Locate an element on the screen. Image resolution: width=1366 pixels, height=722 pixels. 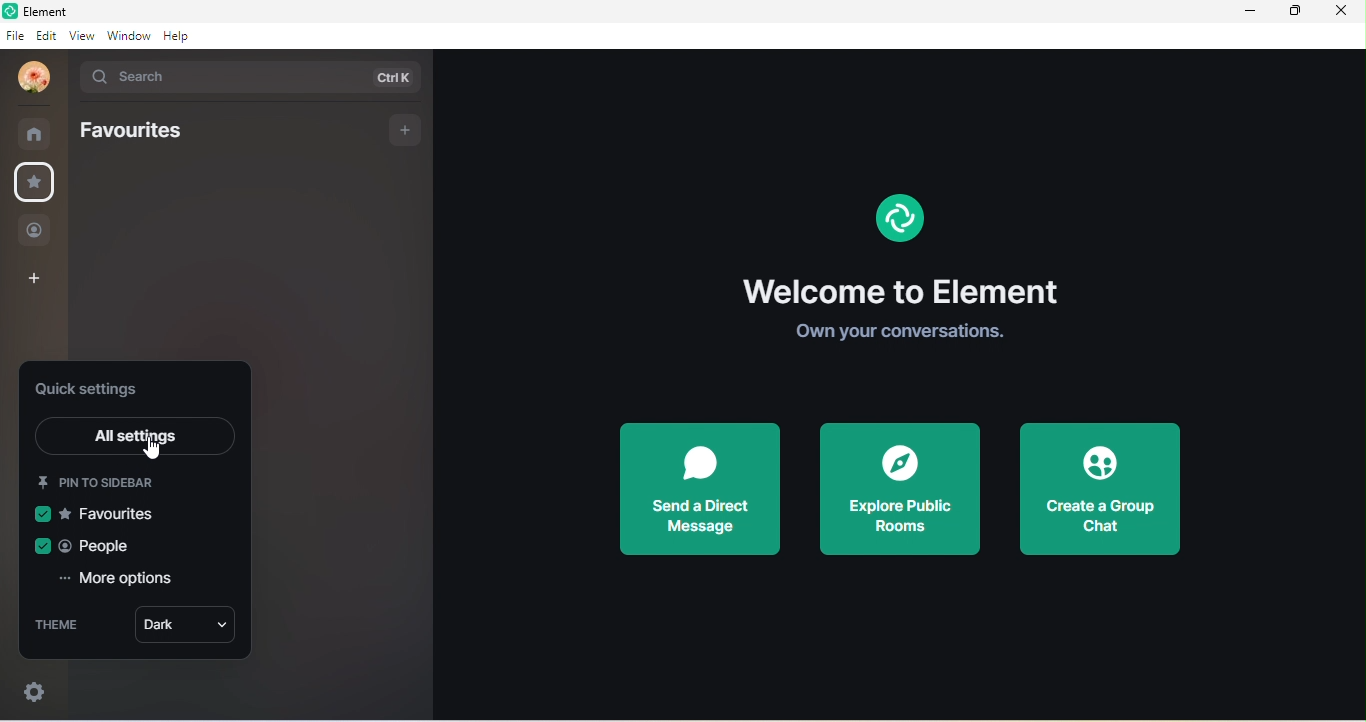
window is located at coordinates (127, 37).